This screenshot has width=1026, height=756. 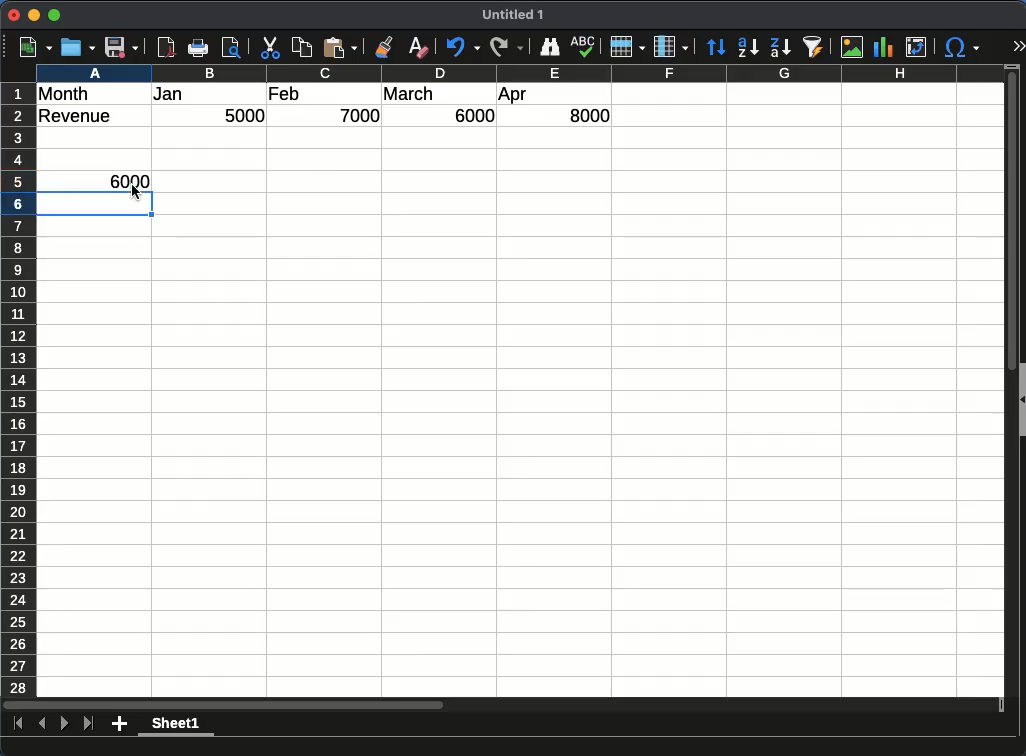 I want to click on march, so click(x=410, y=93).